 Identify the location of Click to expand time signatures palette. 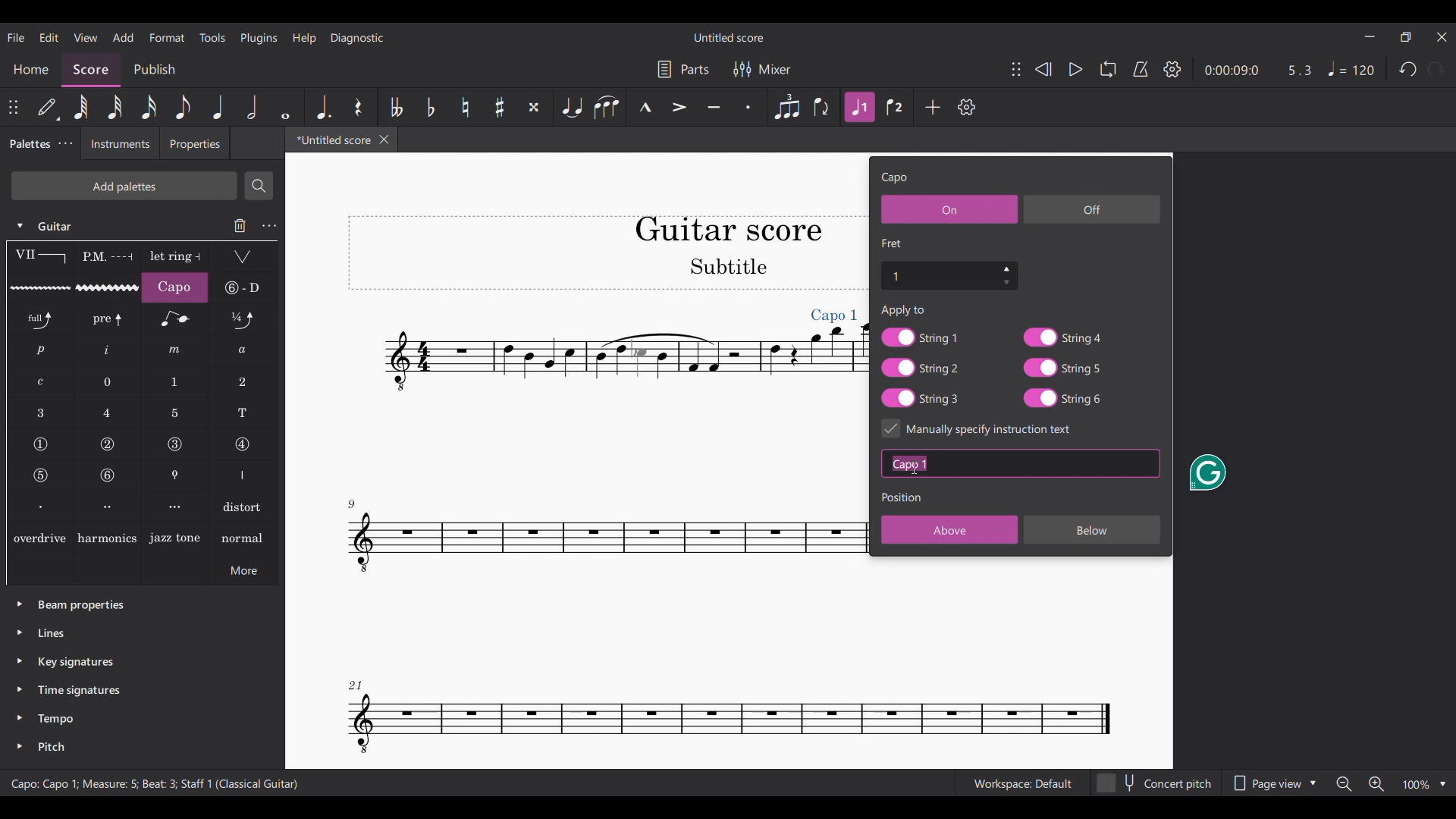
(19, 689).